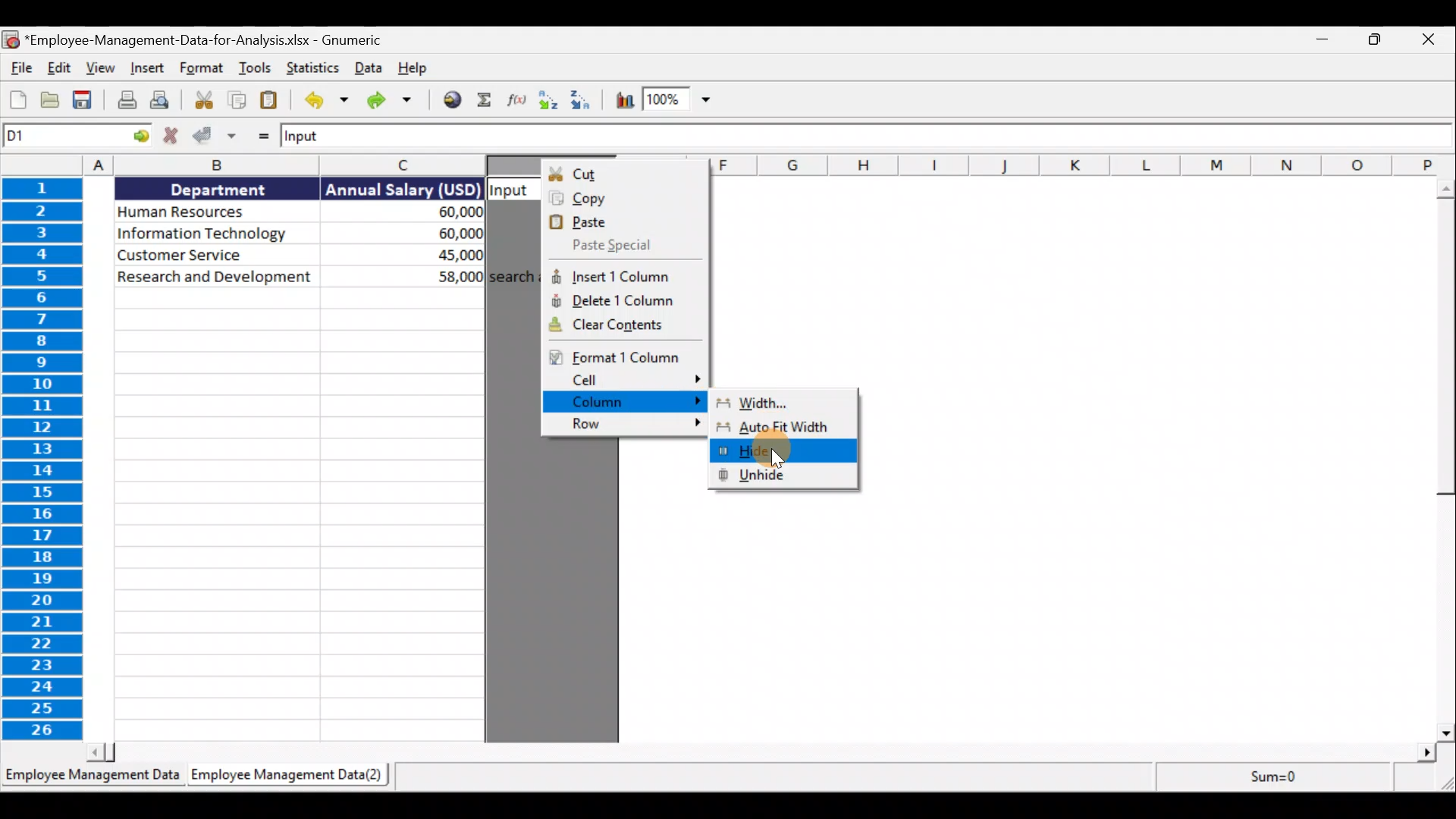 This screenshot has width=1456, height=819. What do you see at coordinates (274, 99) in the screenshot?
I see `Paste clipboard` at bounding box center [274, 99].